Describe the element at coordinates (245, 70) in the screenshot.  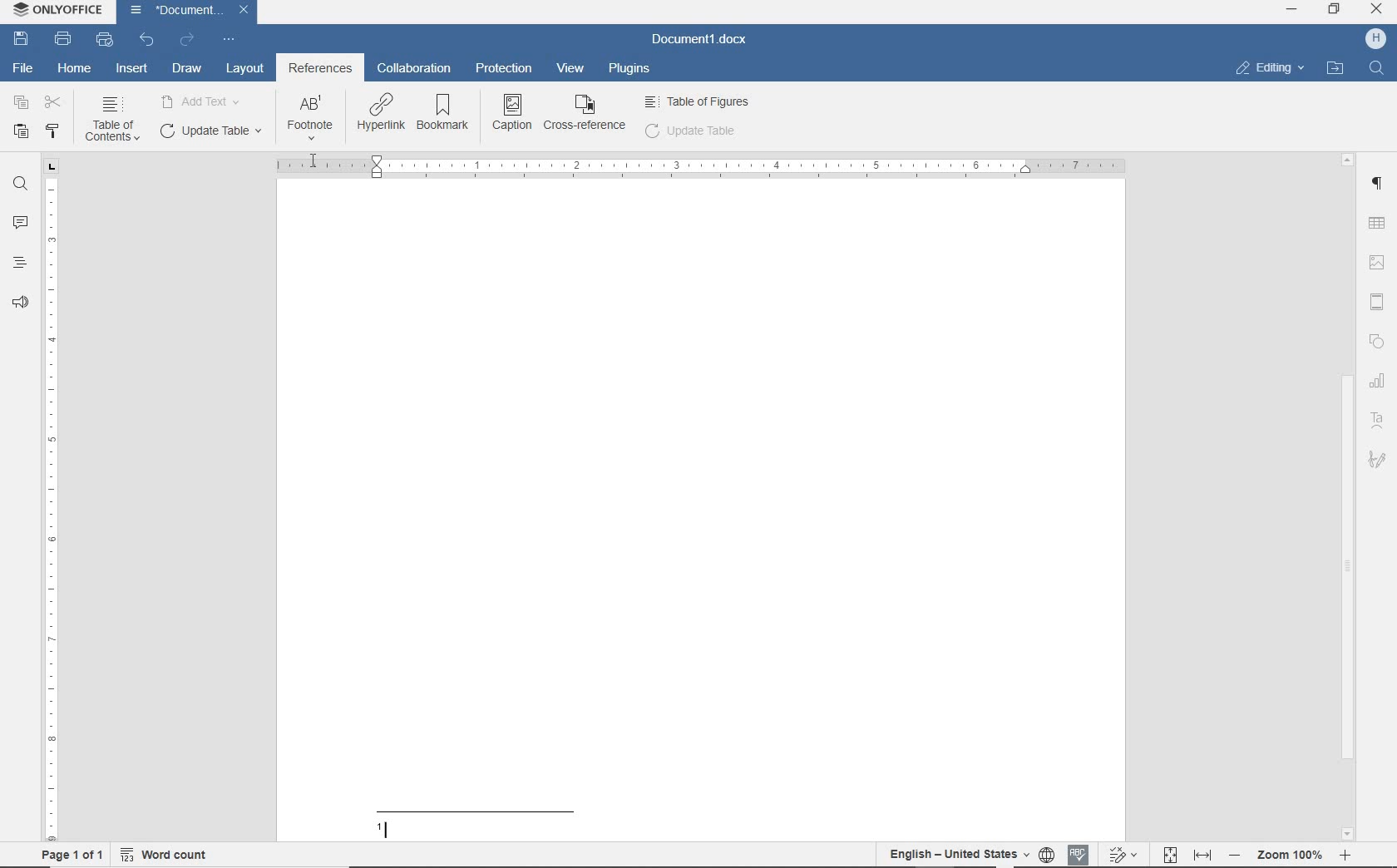
I see `layout` at that location.